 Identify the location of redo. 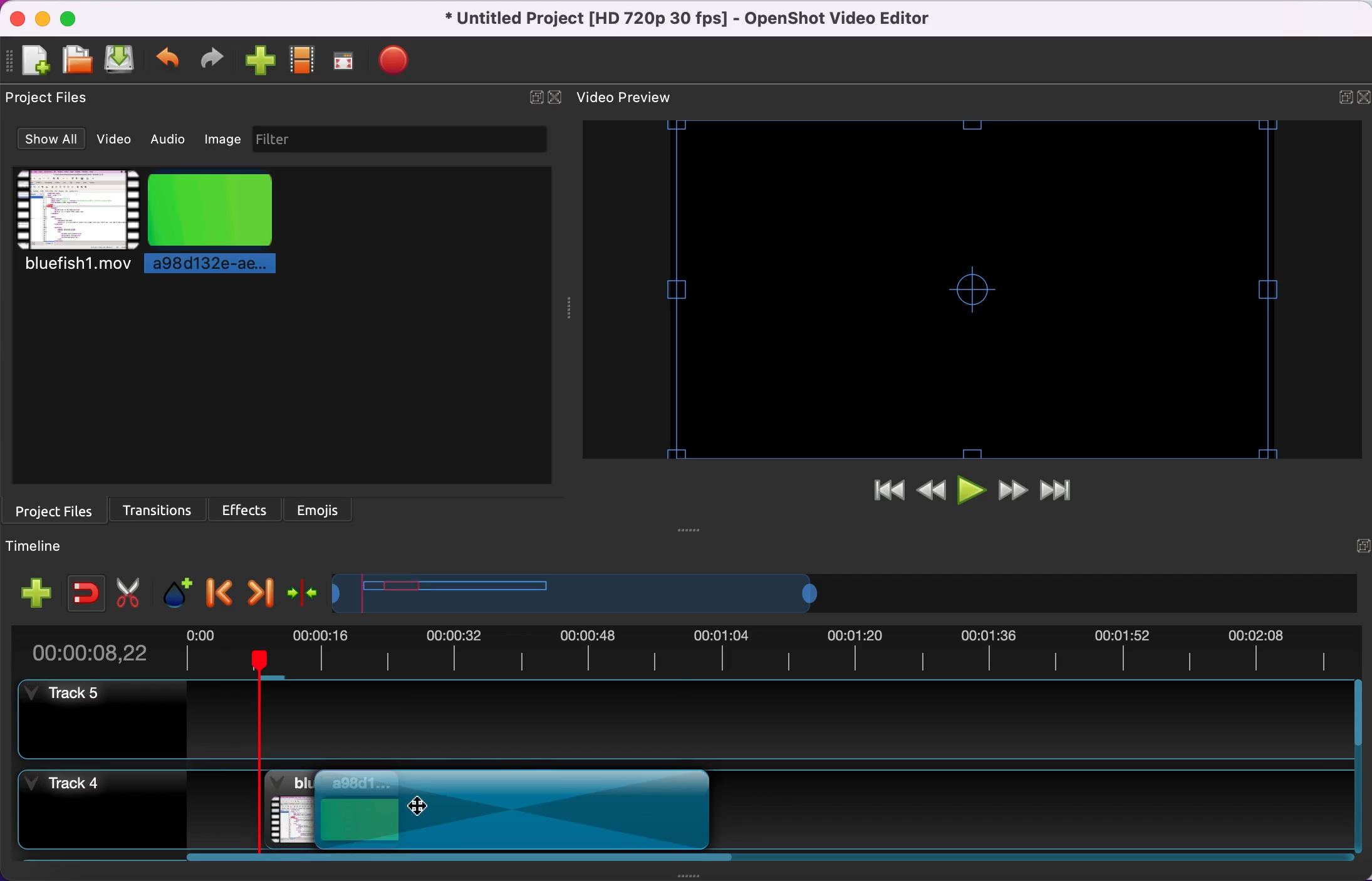
(210, 58).